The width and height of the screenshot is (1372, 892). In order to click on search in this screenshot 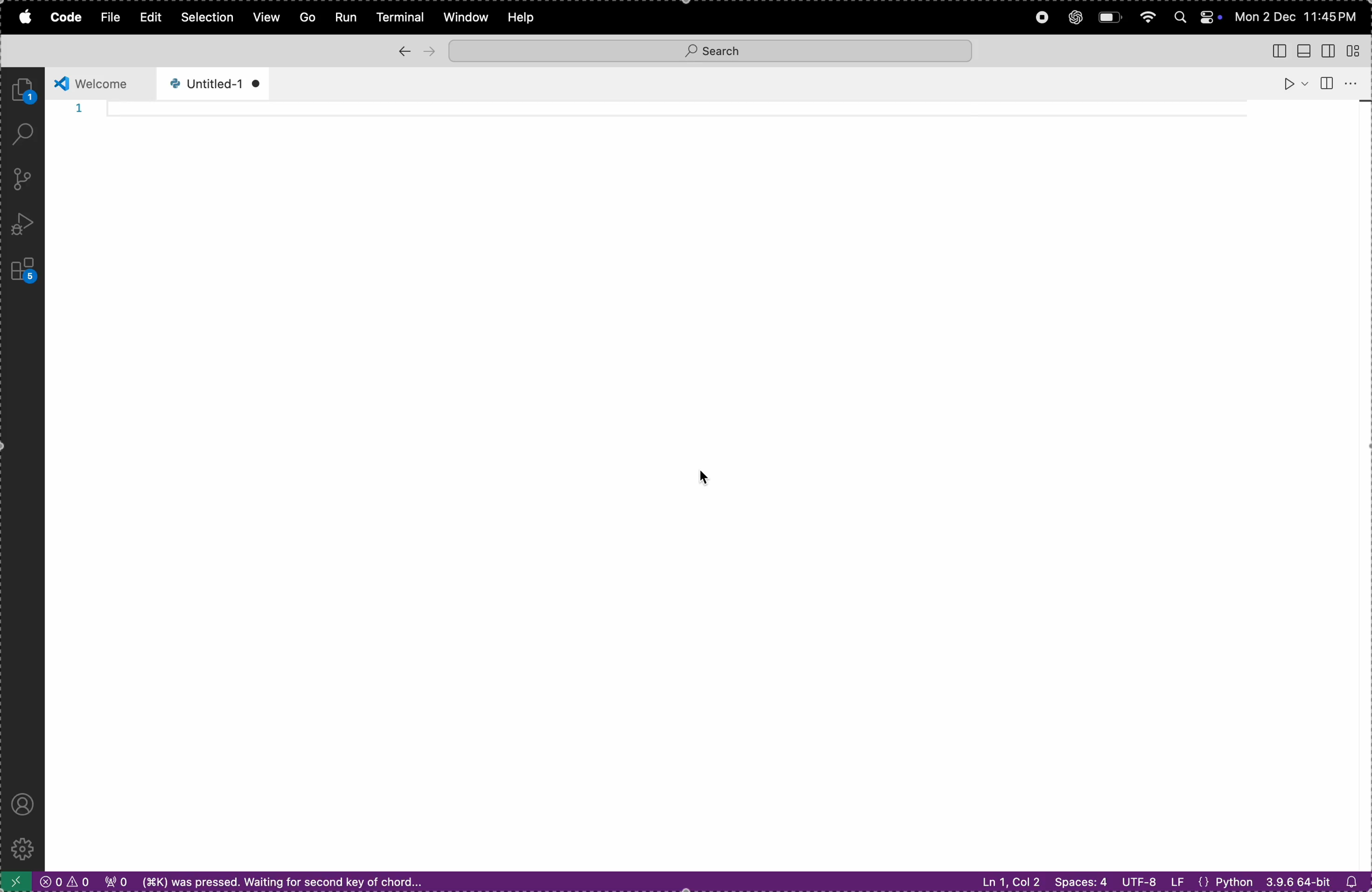, I will do `click(711, 49)`.